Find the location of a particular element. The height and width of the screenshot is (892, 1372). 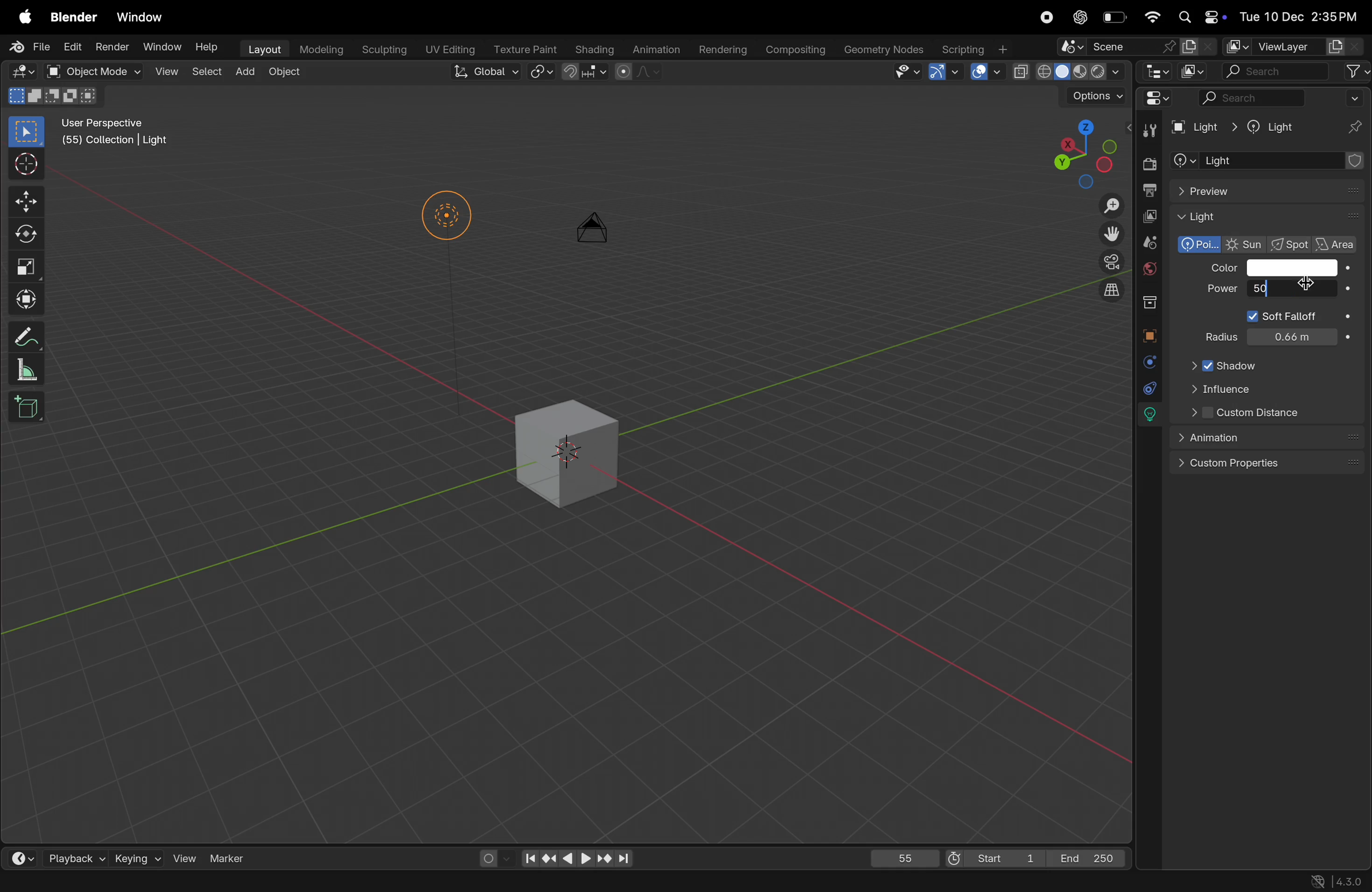

rendering is located at coordinates (722, 46).